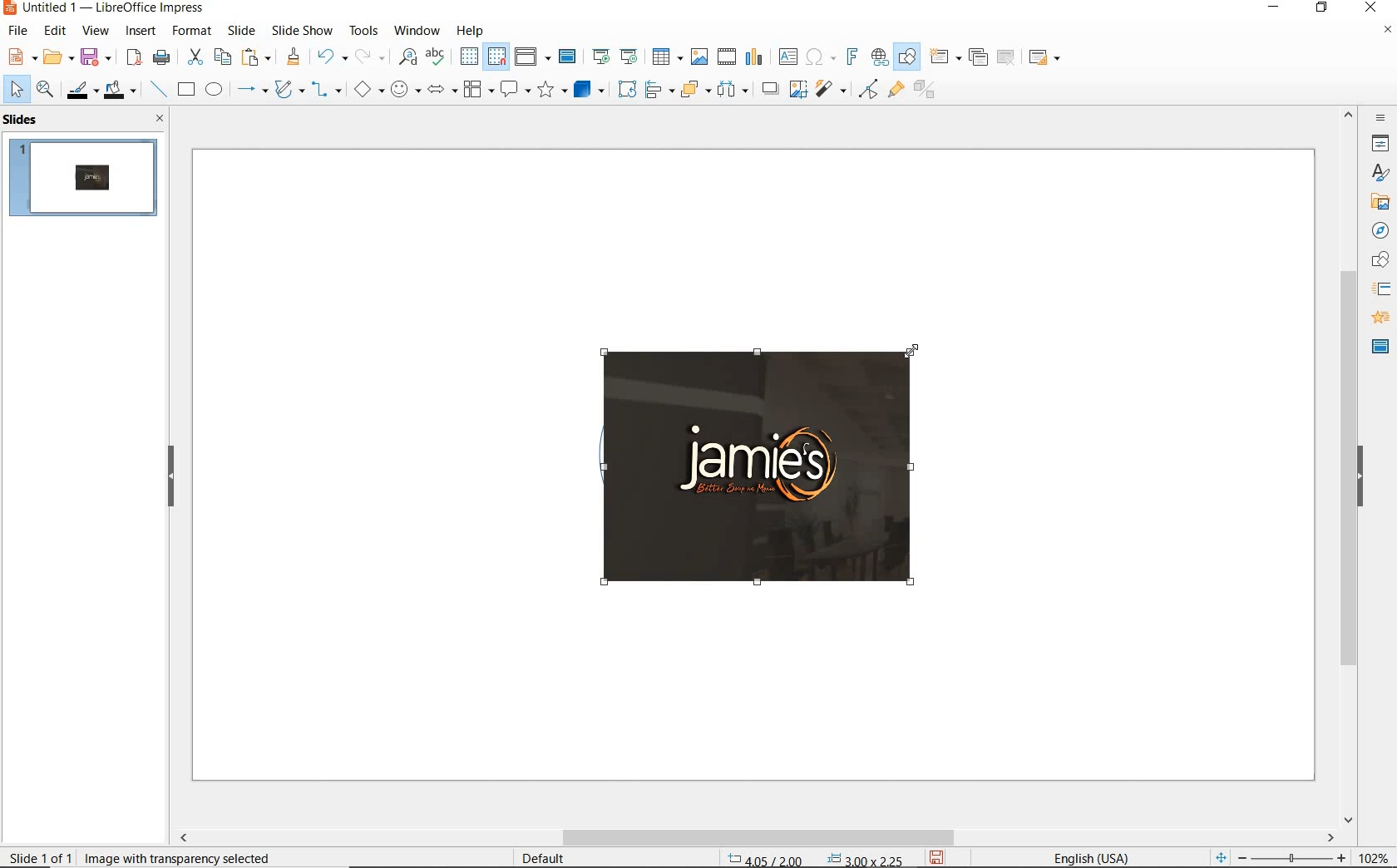  I want to click on delete slide, so click(1006, 58).